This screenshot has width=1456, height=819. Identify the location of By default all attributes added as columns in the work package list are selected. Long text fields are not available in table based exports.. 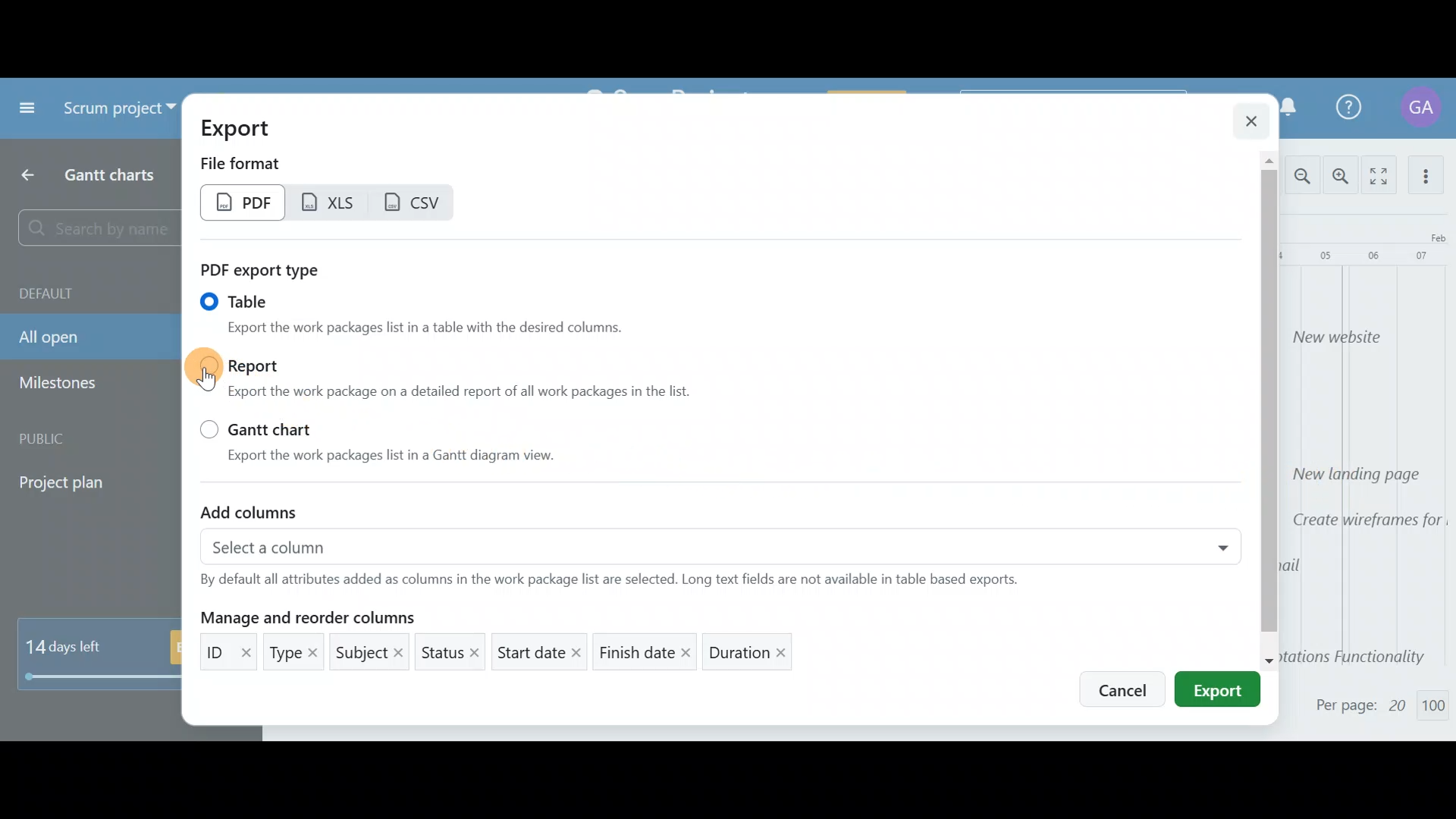
(618, 585).